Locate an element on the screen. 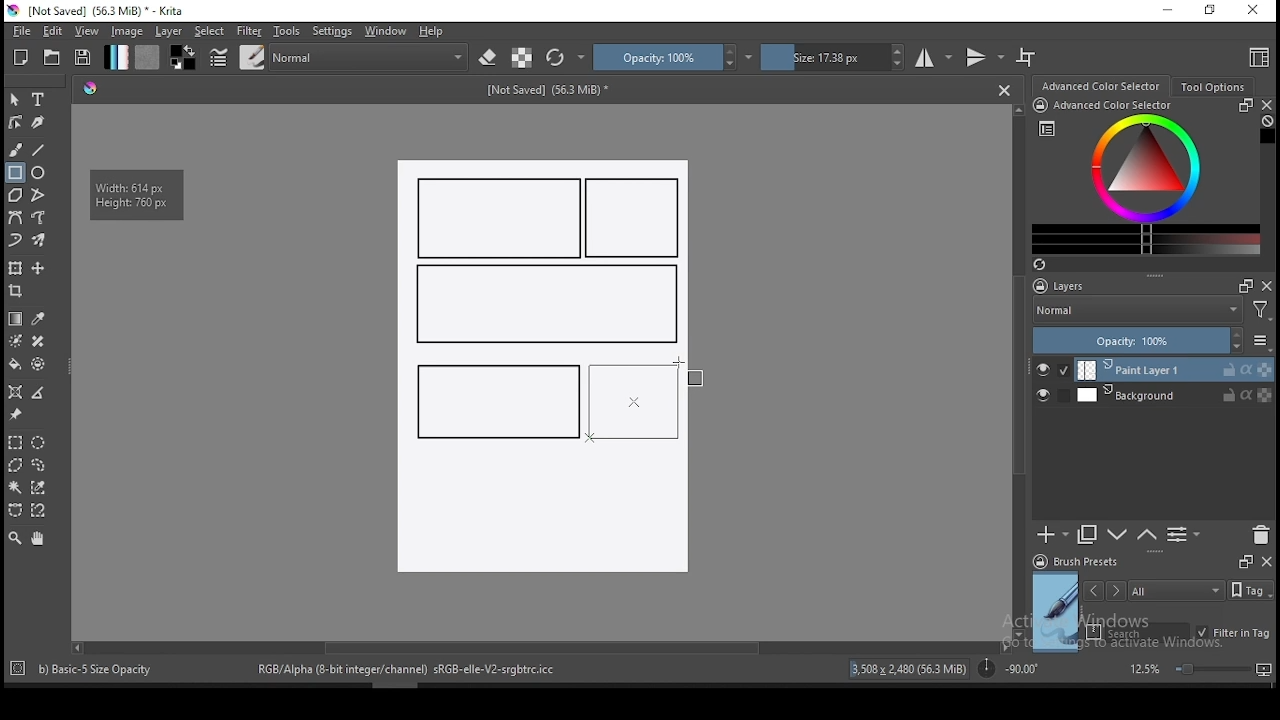 This screenshot has height=720, width=1280. save is located at coordinates (83, 58).